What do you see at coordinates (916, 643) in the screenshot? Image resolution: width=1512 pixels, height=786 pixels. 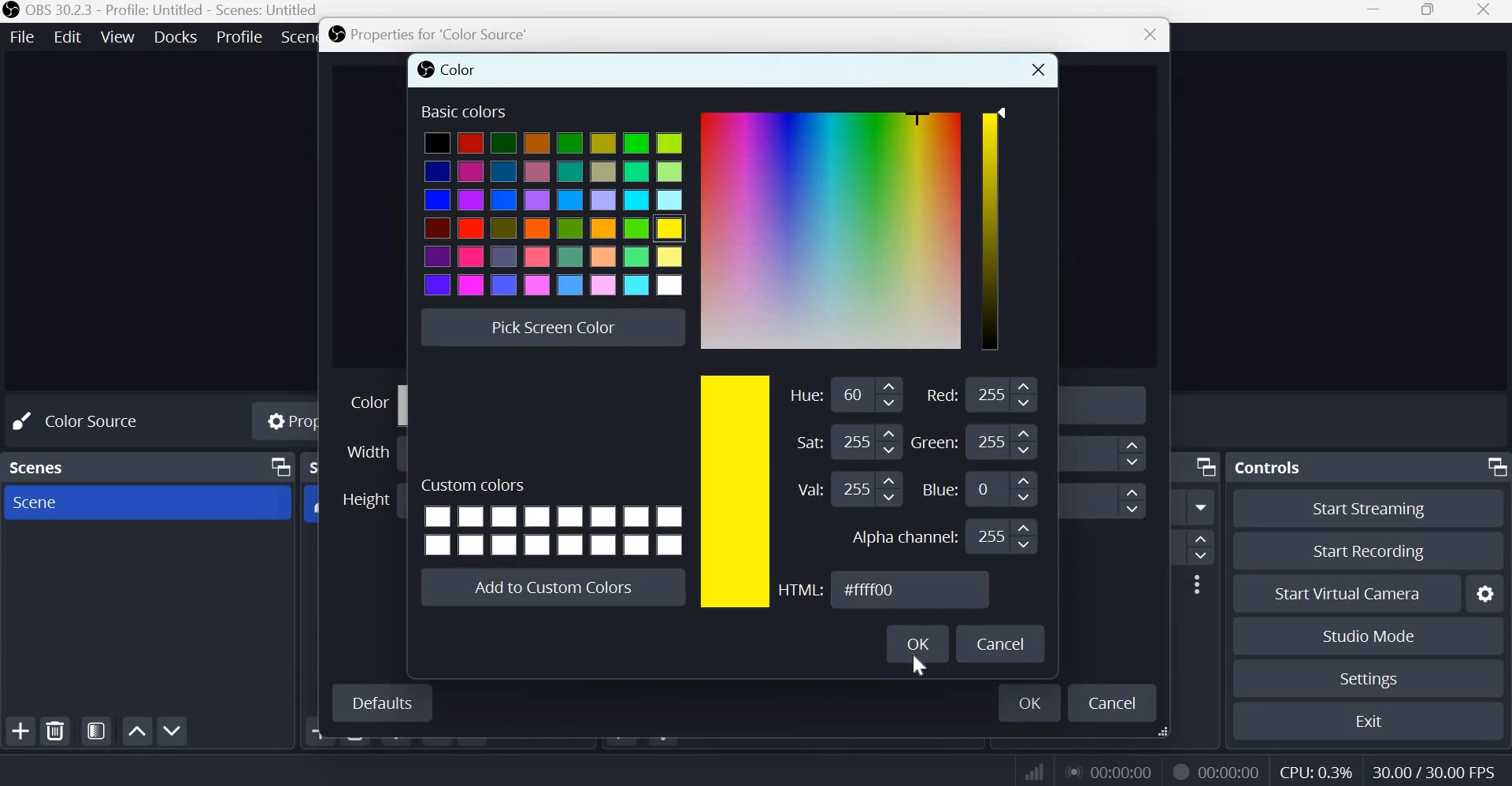 I see `OK` at bounding box center [916, 643].